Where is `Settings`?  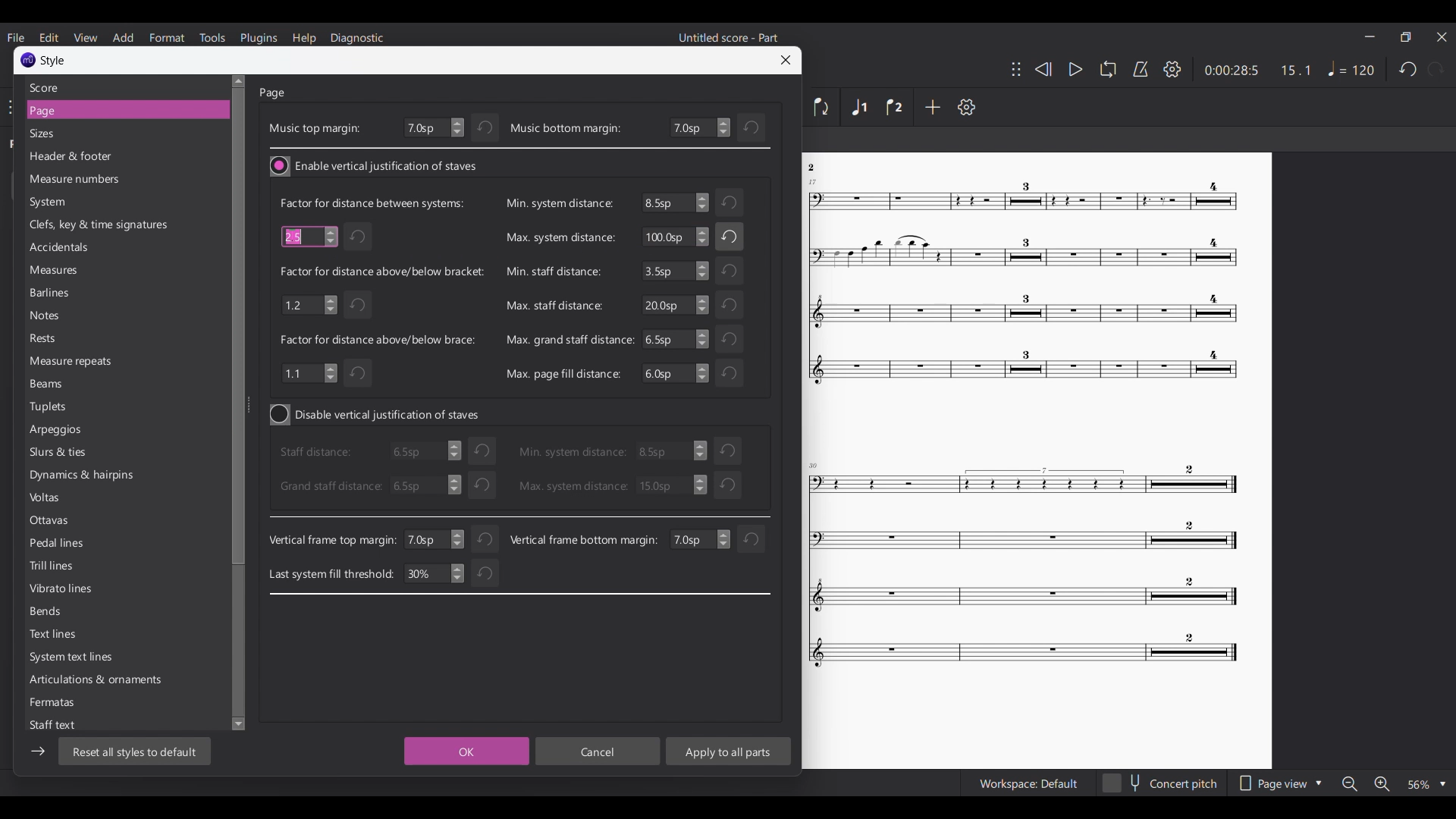
Settings is located at coordinates (966, 107).